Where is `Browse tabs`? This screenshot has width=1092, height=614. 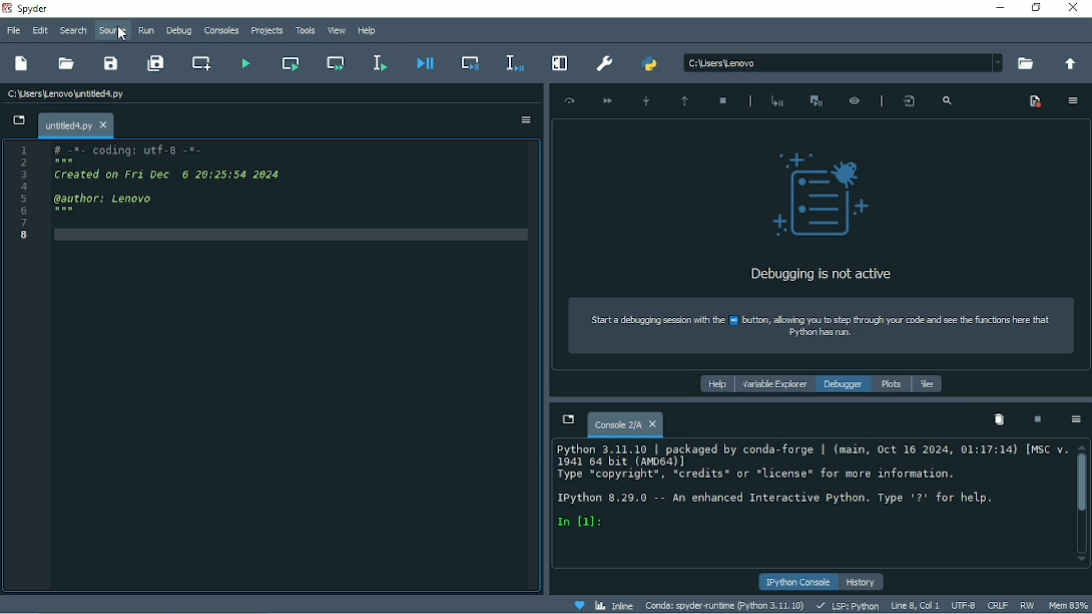
Browse tabs is located at coordinates (17, 122).